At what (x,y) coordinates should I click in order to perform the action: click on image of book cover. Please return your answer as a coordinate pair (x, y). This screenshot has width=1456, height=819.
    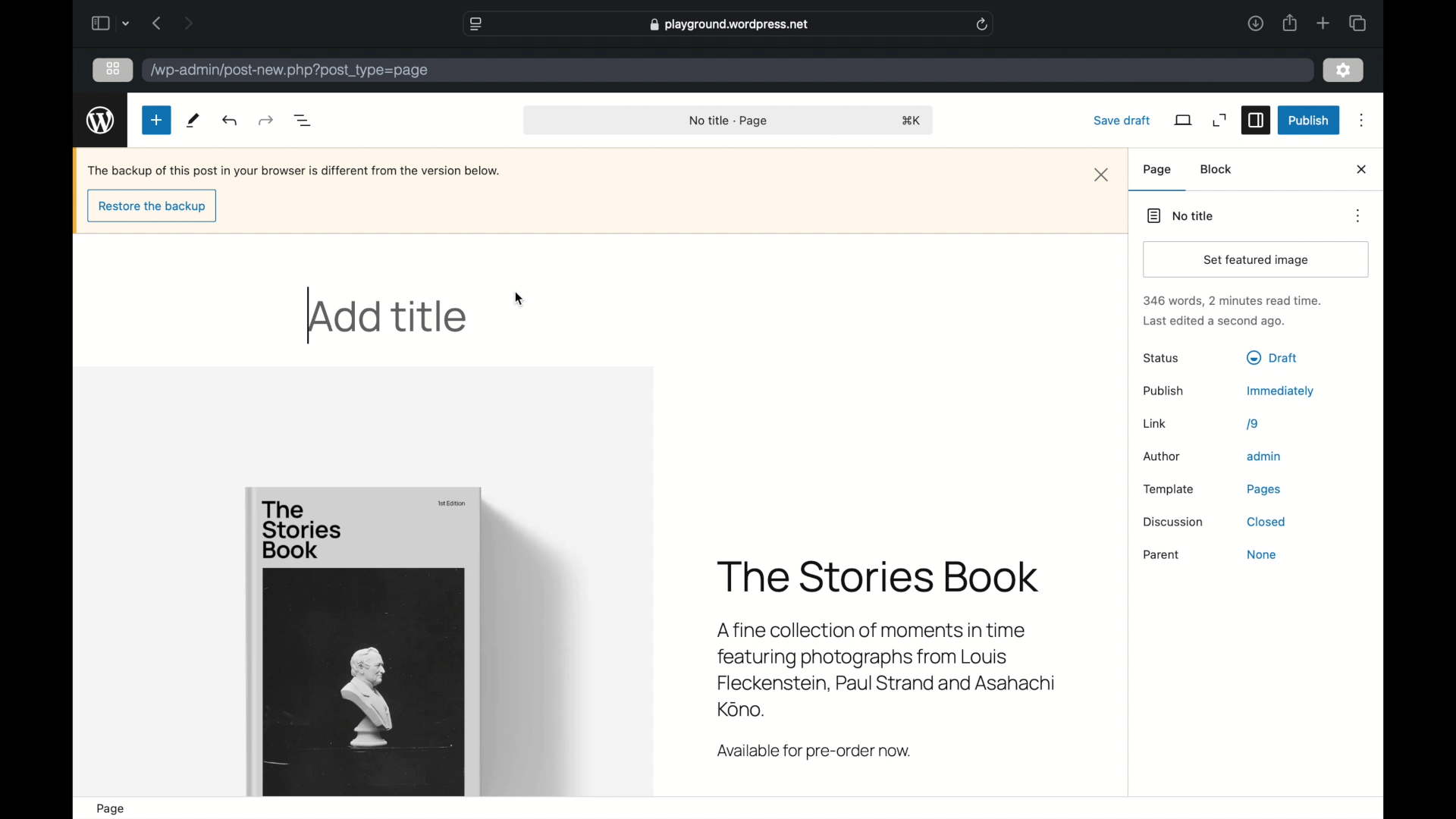
    Looking at the image, I should click on (366, 640).